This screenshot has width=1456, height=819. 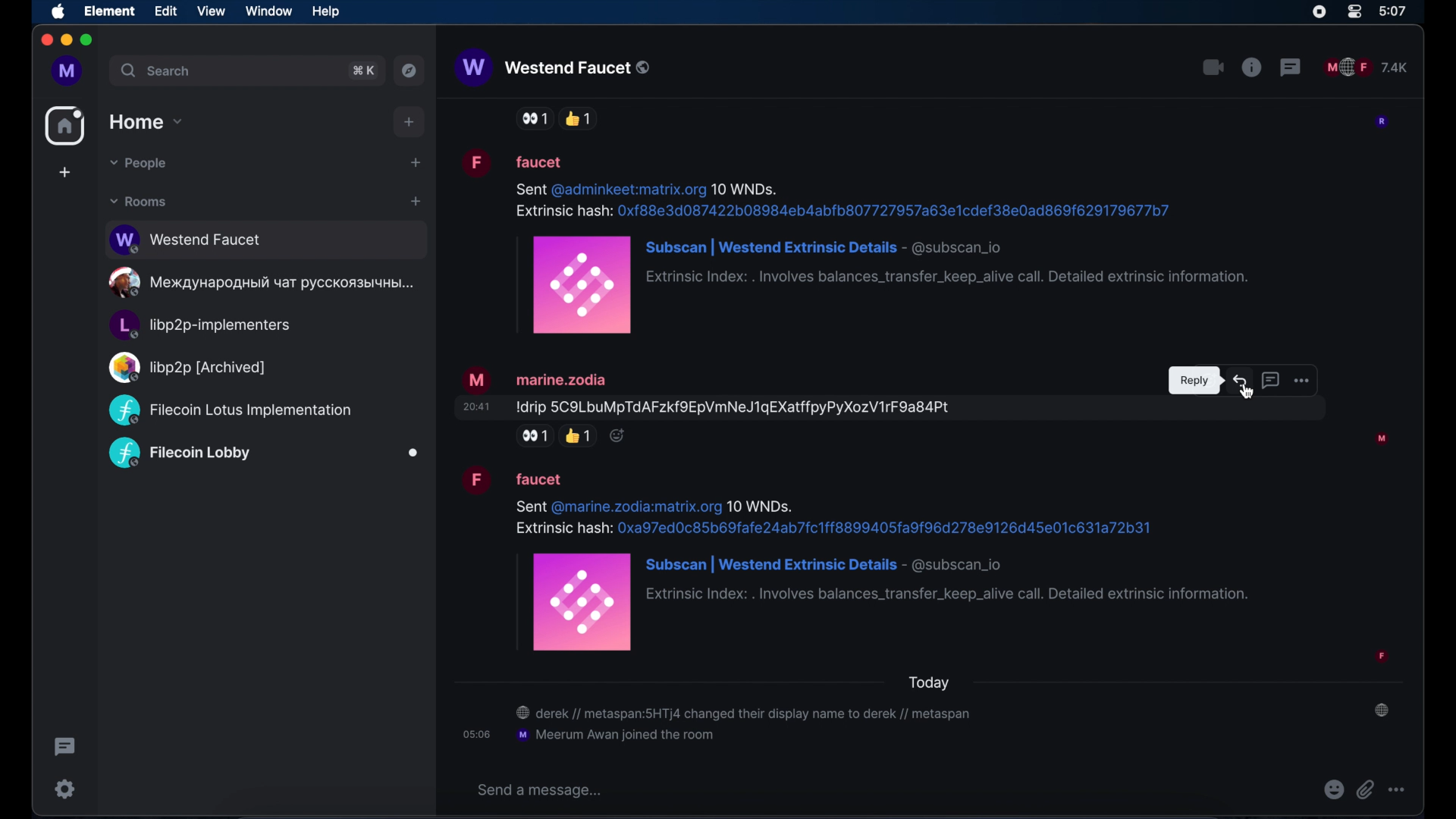 What do you see at coordinates (1241, 380) in the screenshot?
I see `reply` at bounding box center [1241, 380].